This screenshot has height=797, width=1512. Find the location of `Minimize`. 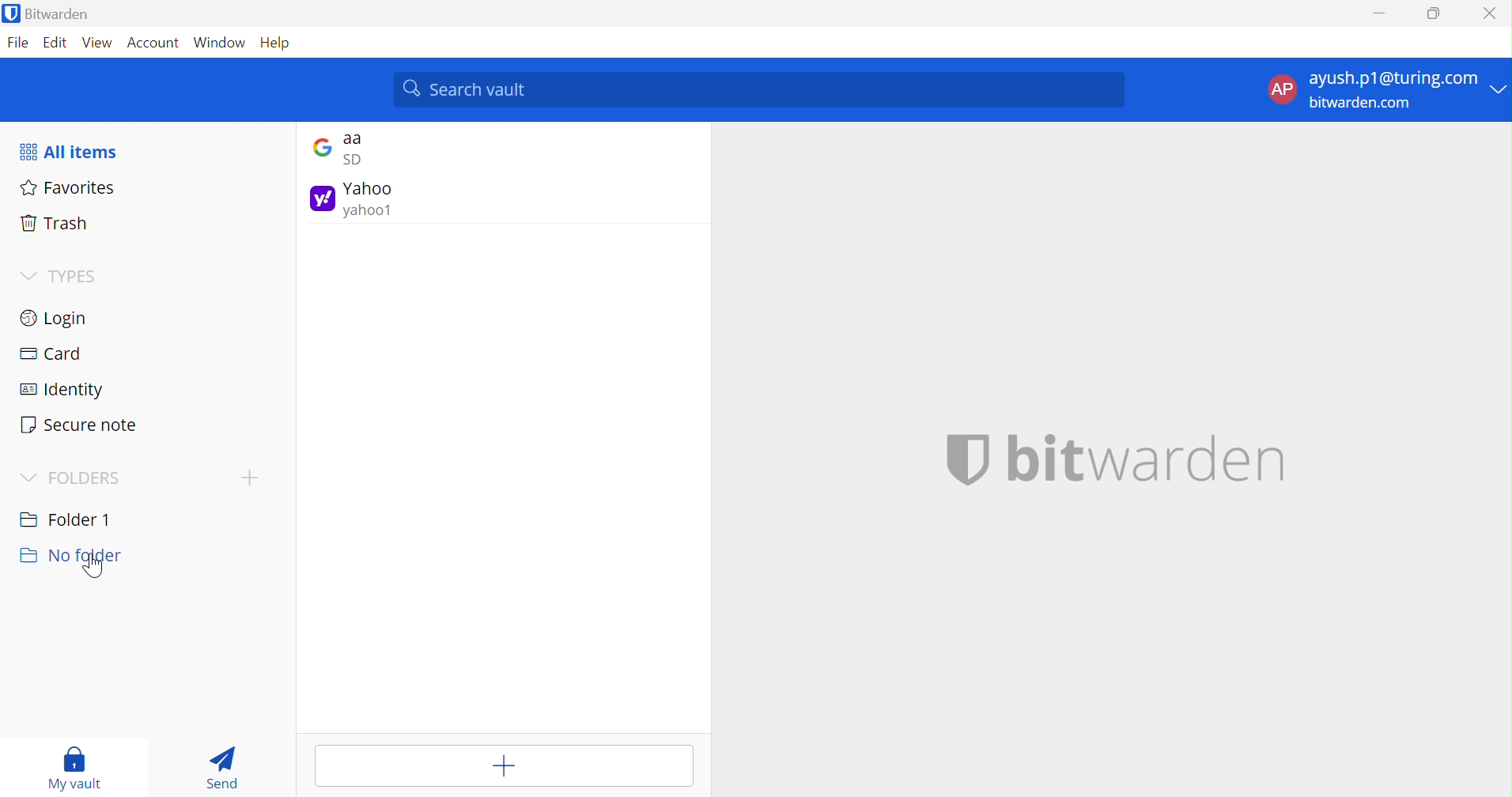

Minimize is located at coordinates (1378, 15).